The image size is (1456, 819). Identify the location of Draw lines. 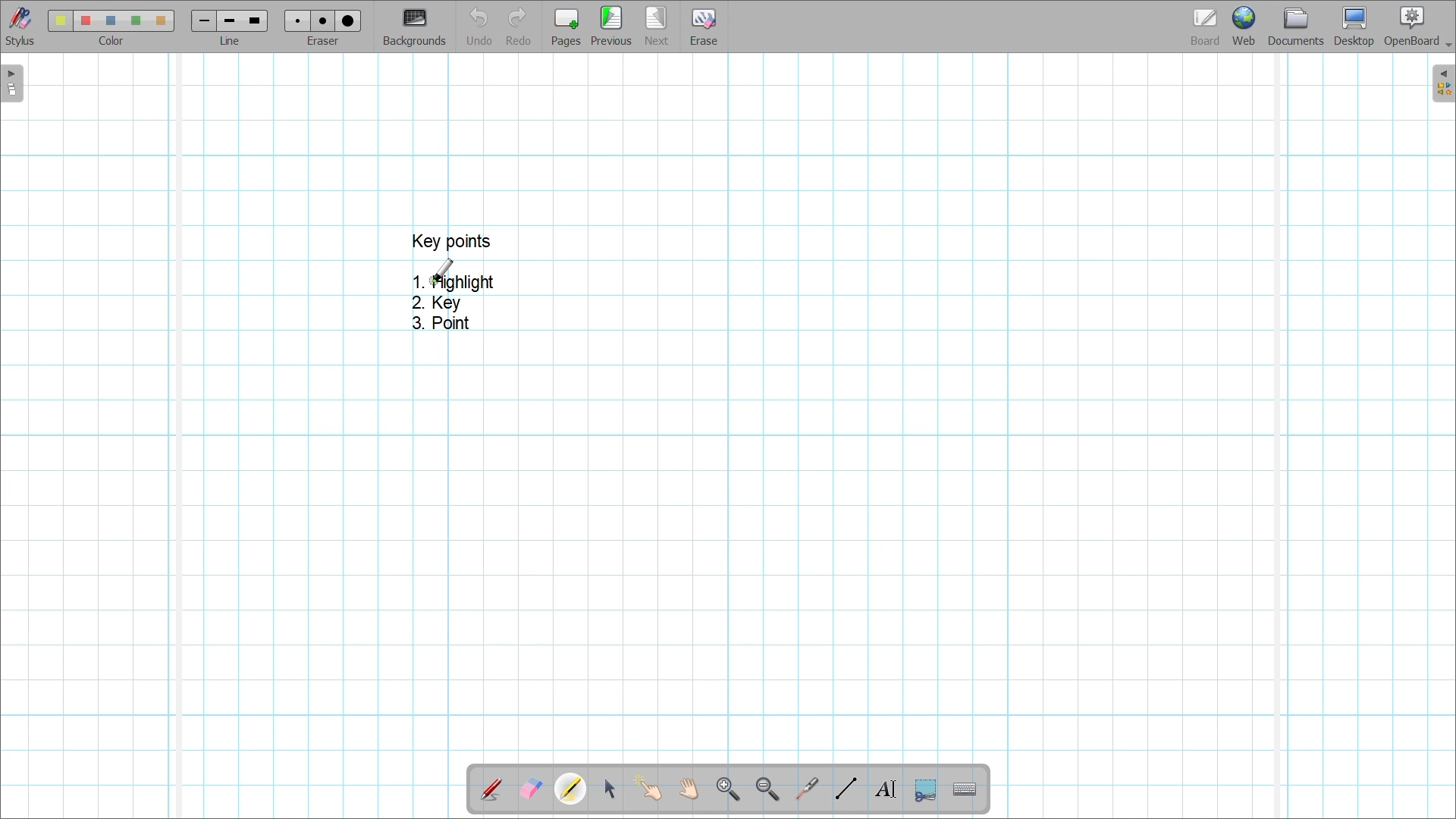
(846, 789).